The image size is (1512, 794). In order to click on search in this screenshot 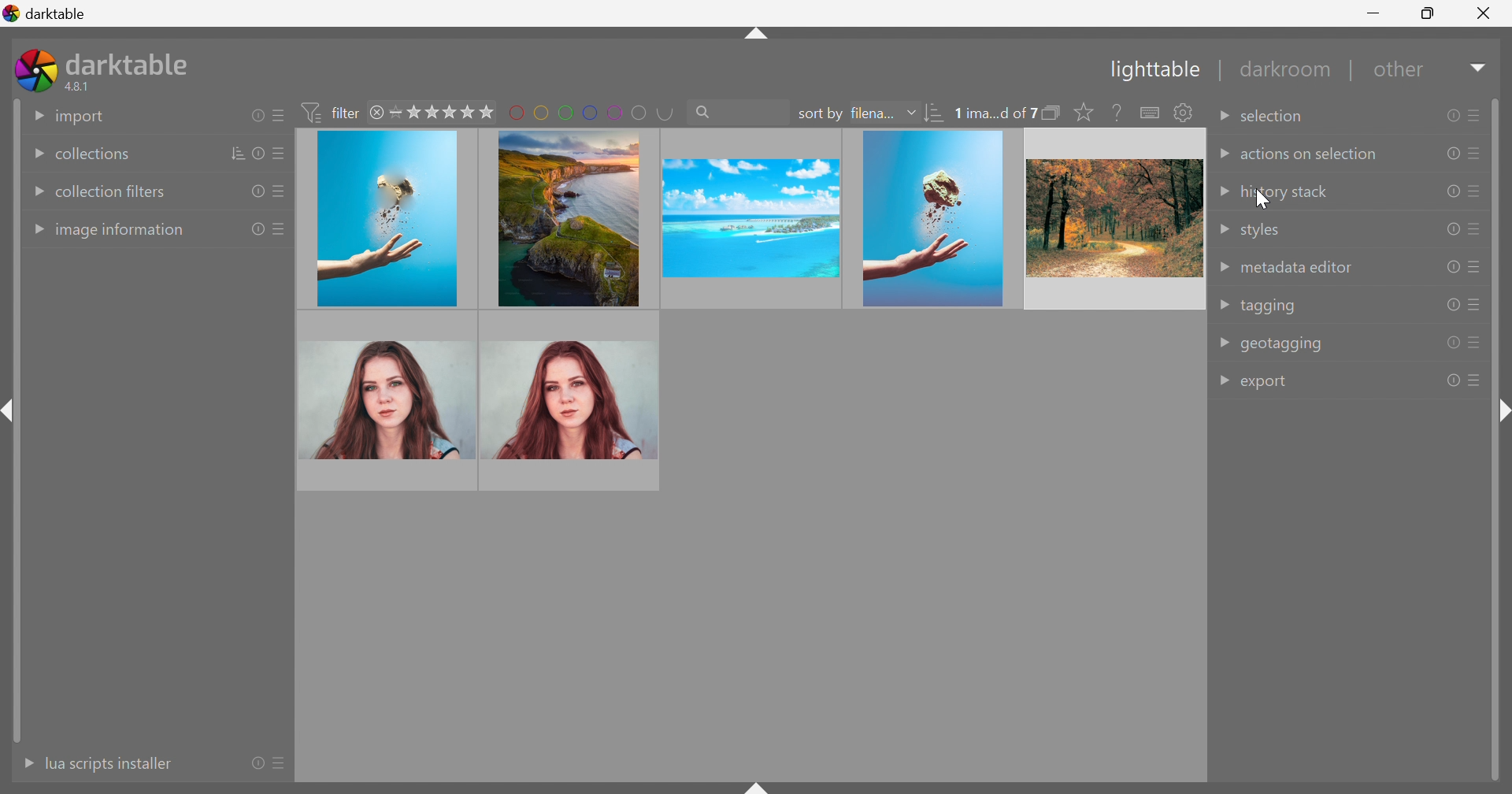, I will do `click(736, 110)`.